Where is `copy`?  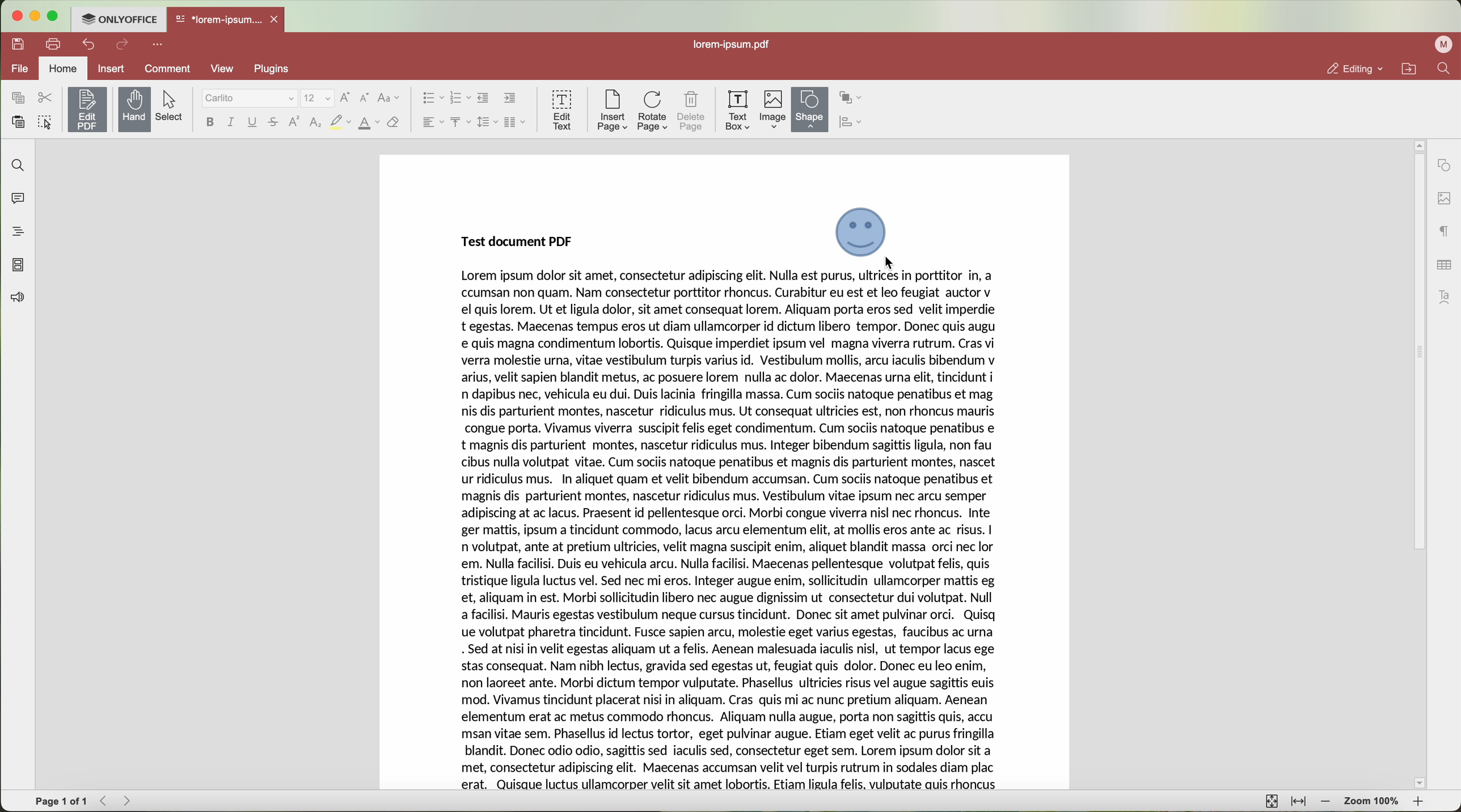 copy is located at coordinates (15, 97).